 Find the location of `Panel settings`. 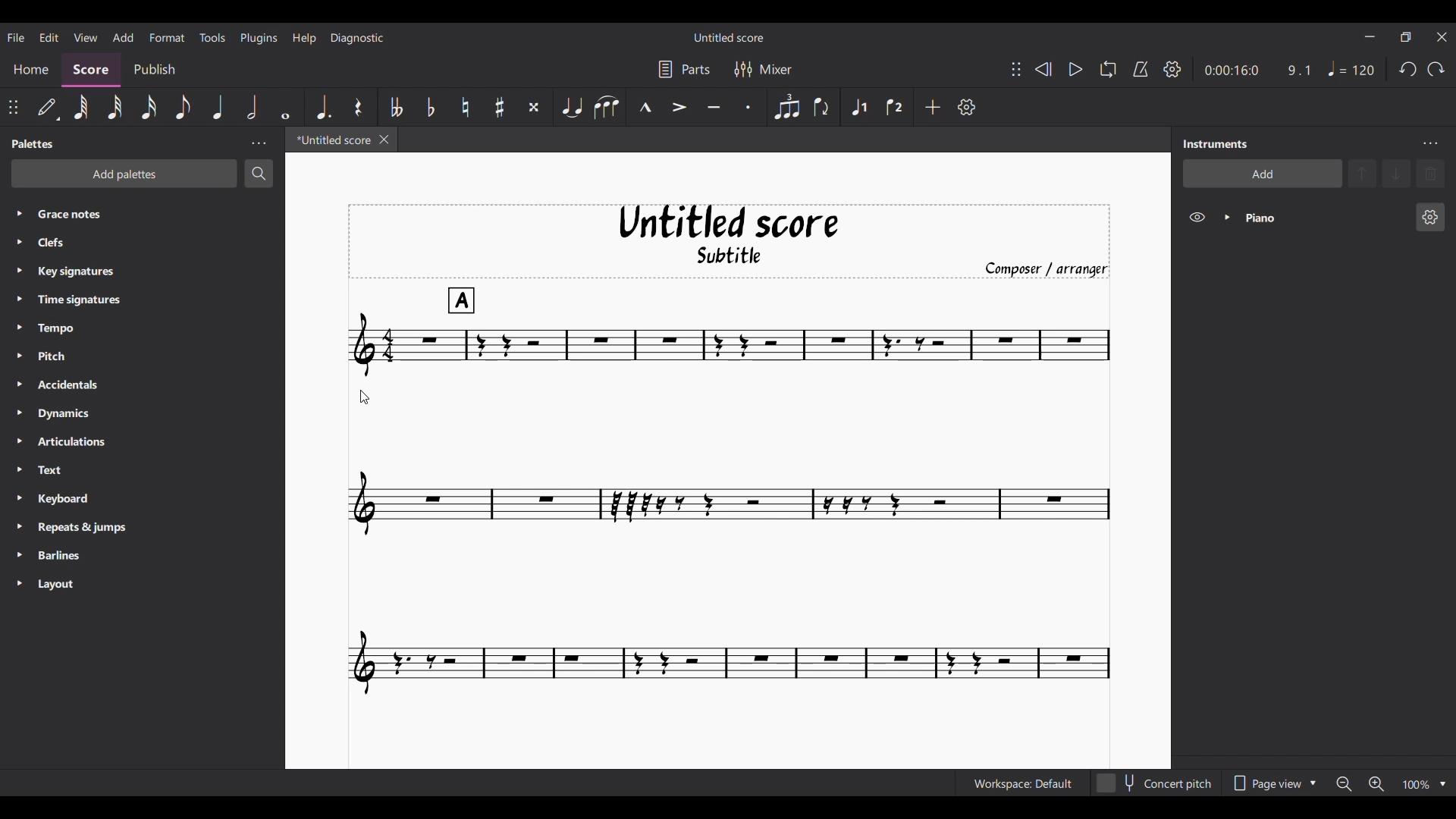

Panel settings is located at coordinates (259, 143).